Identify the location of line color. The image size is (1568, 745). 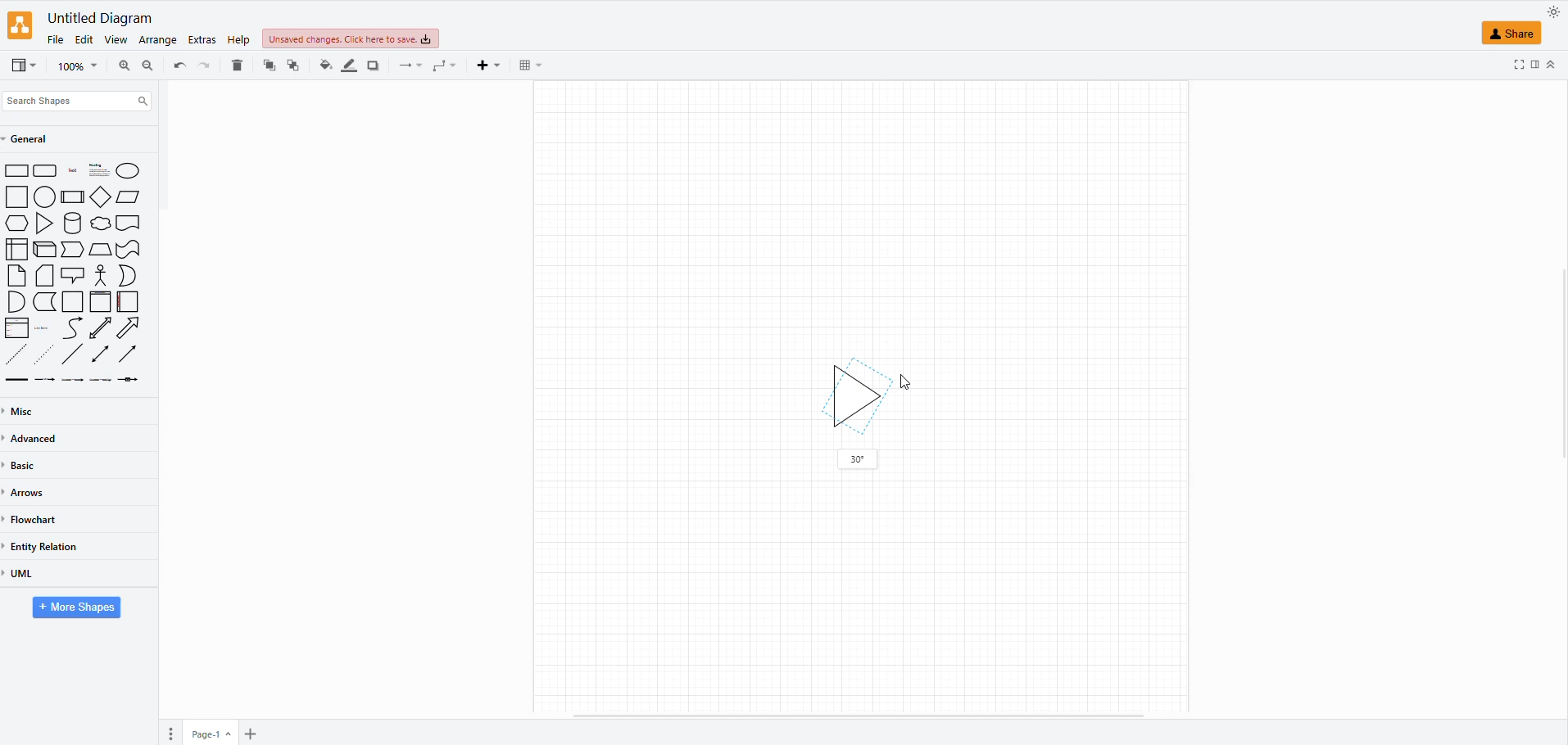
(347, 64).